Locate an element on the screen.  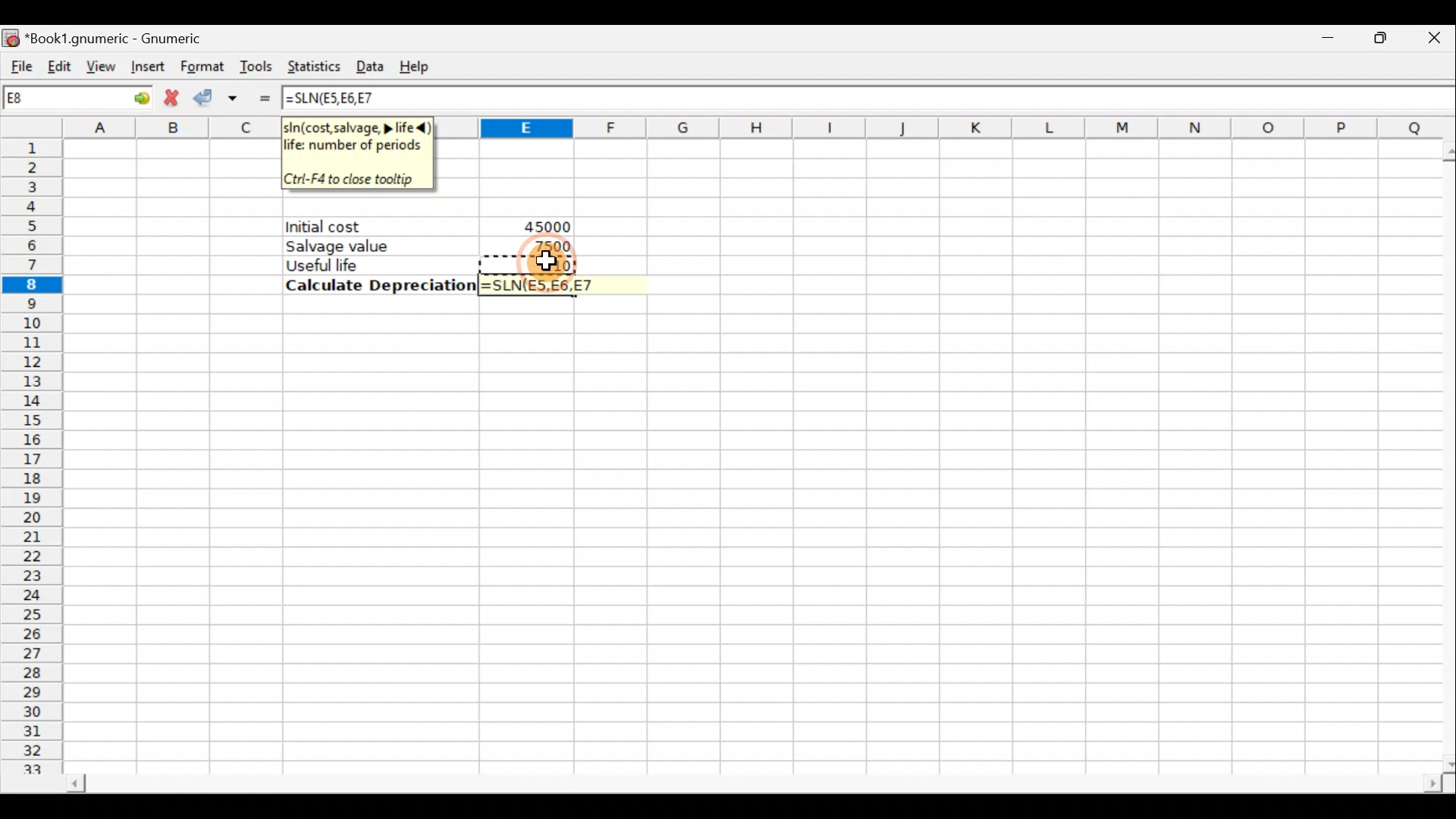
Cells is located at coordinates (747, 538).